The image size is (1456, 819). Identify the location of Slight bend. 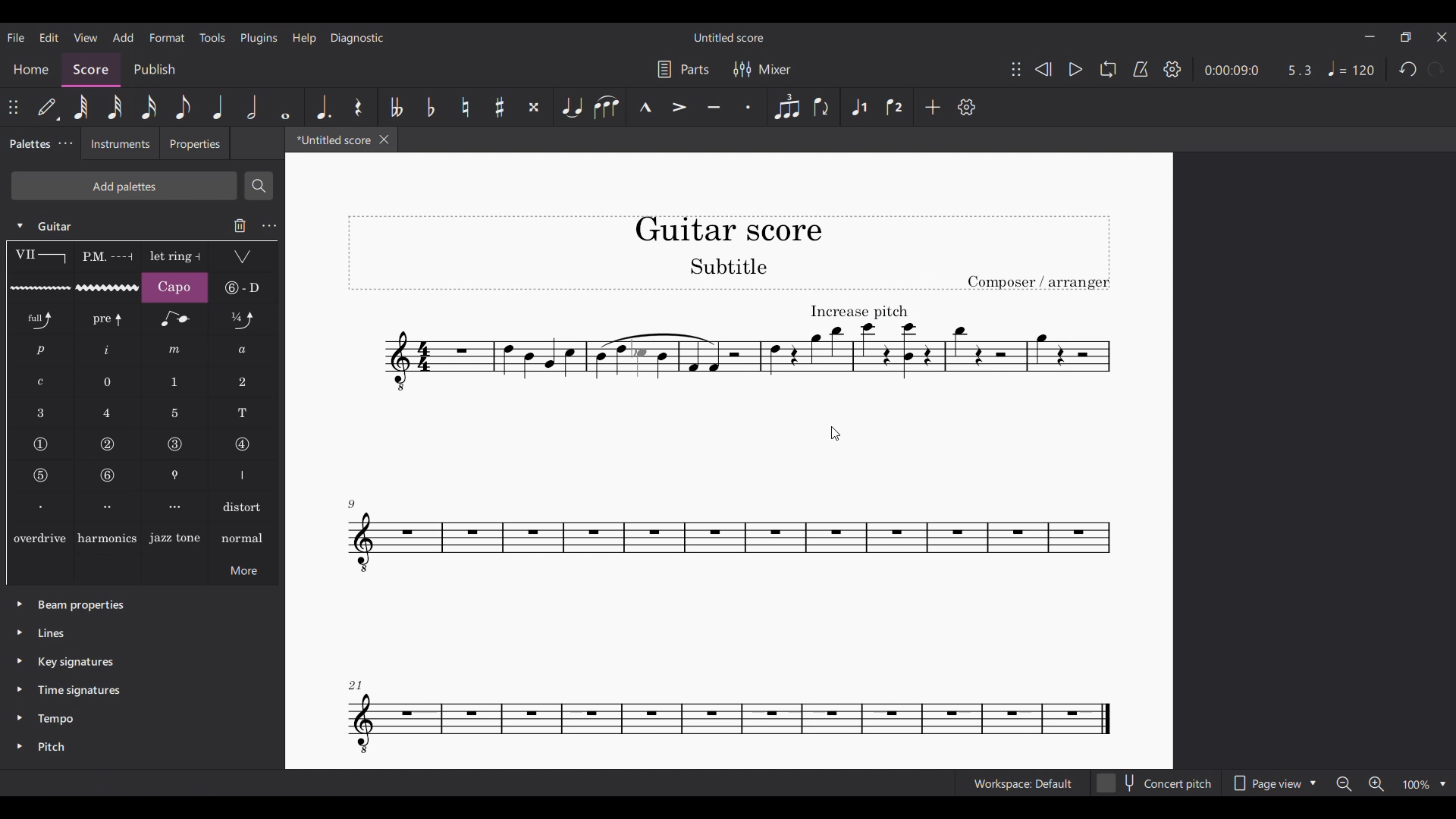
(243, 318).